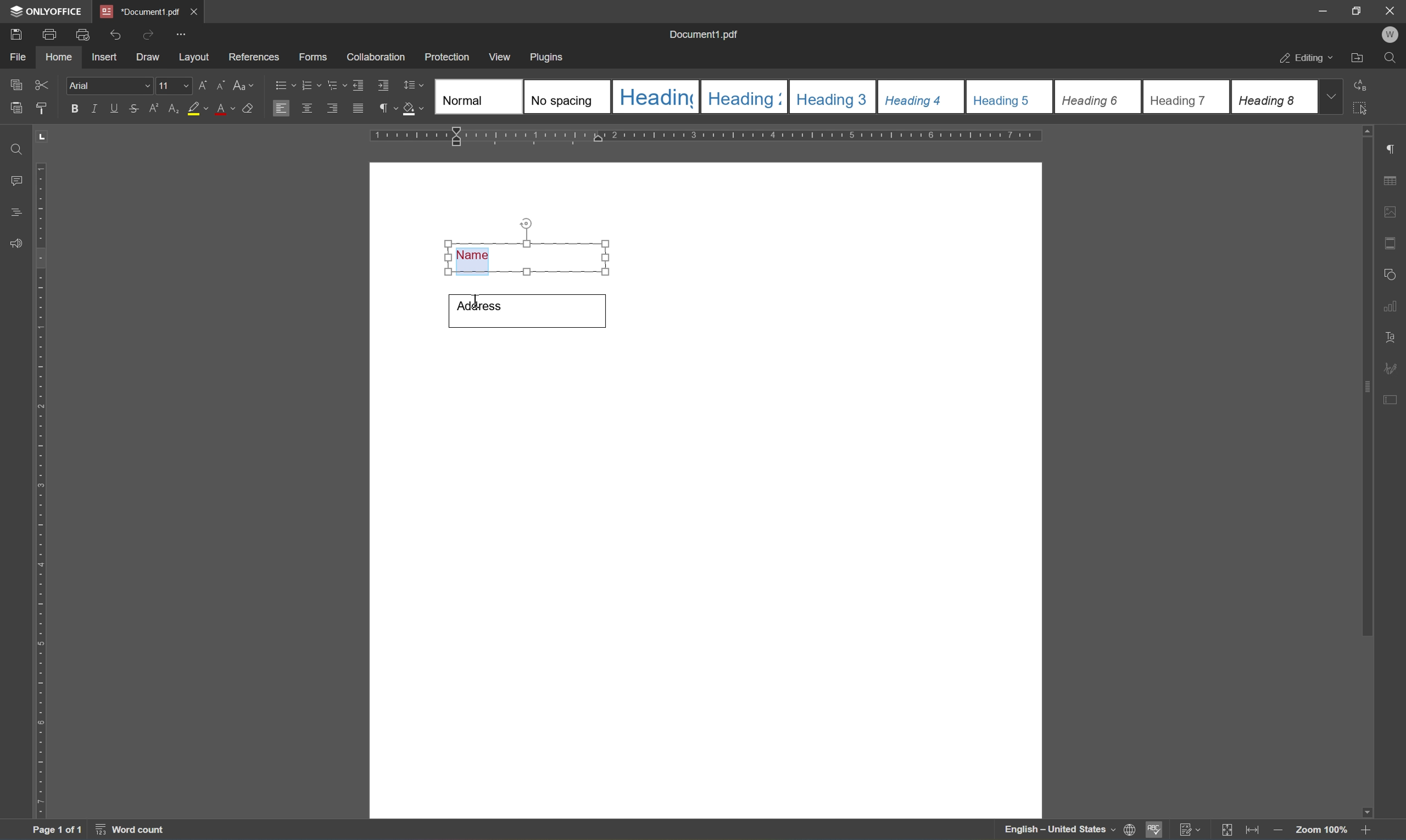 This screenshot has width=1406, height=840. What do you see at coordinates (193, 59) in the screenshot?
I see `layout` at bounding box center [193, 59].